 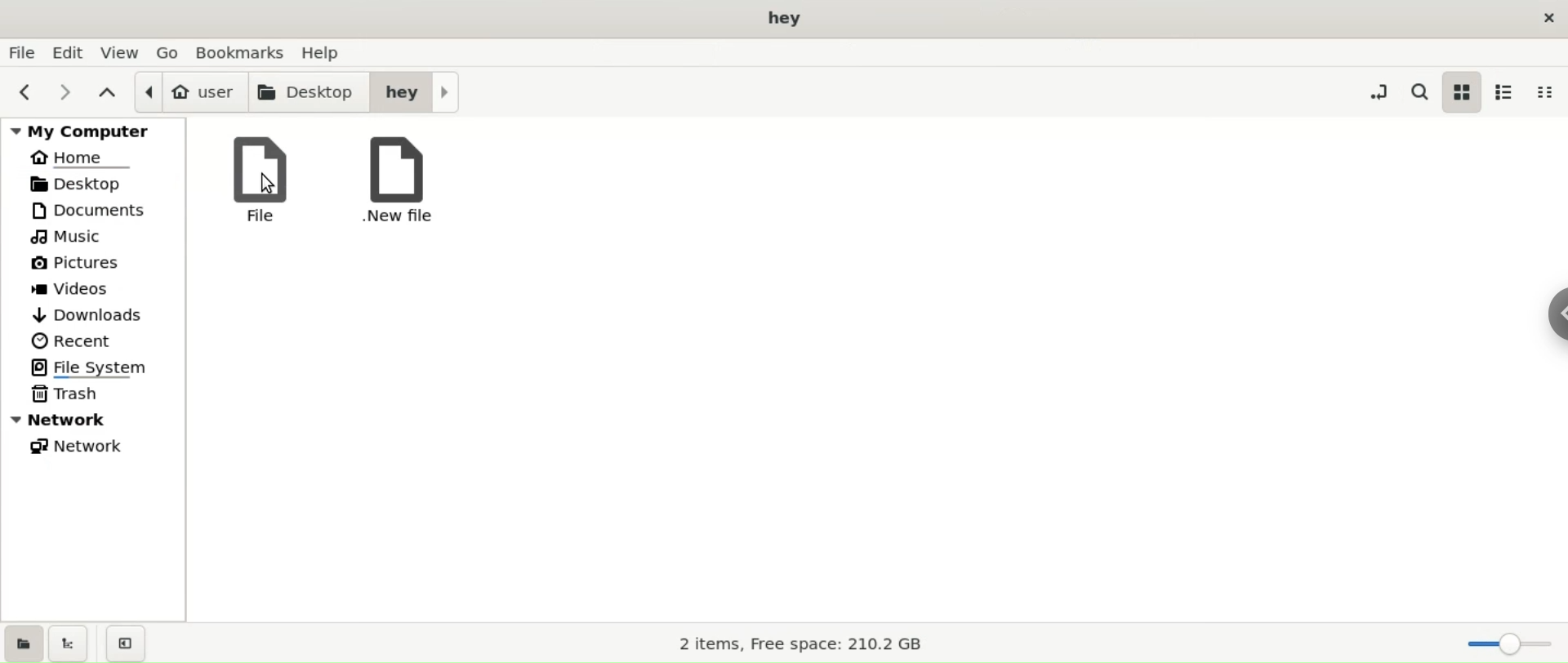 I want to click on documents, so click(x=93, y=210).